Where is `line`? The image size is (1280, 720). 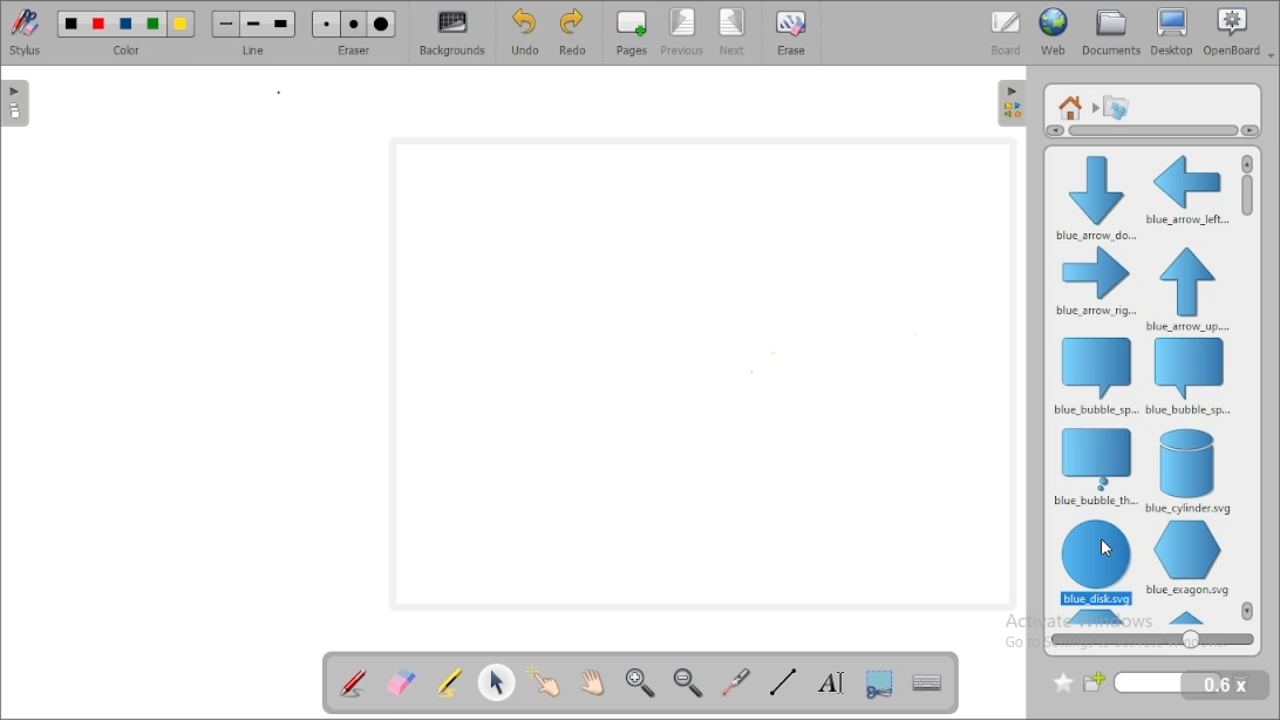
line is located at coordinates (254, 32).